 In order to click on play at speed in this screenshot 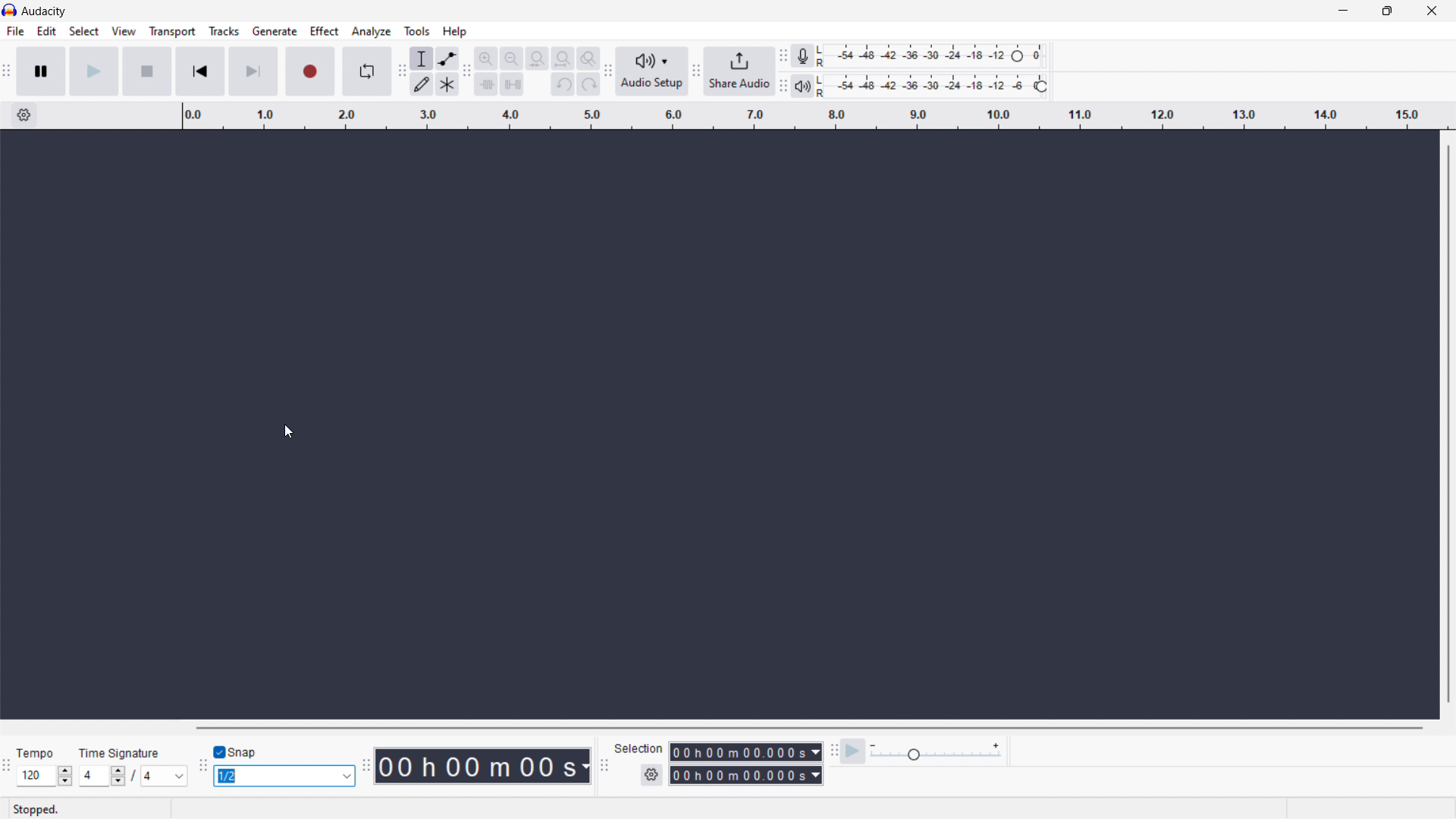, I will do `click(852, 752)`.